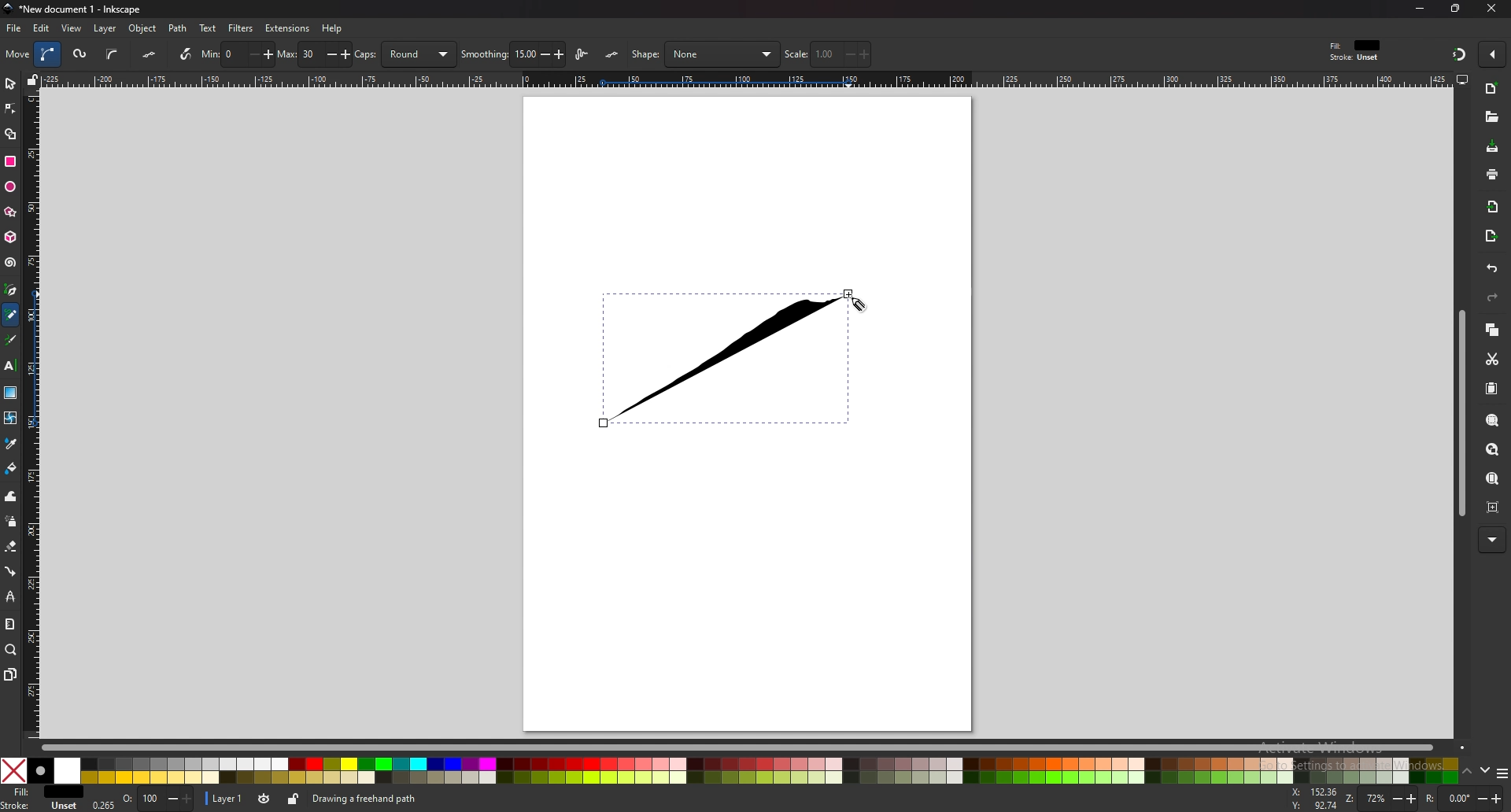 The width and height of the screenshot is (1511, 812). What do you see at coordinates (10, 161) in the screenshot?
I see `rectangle` at bounding box center [10, 161].